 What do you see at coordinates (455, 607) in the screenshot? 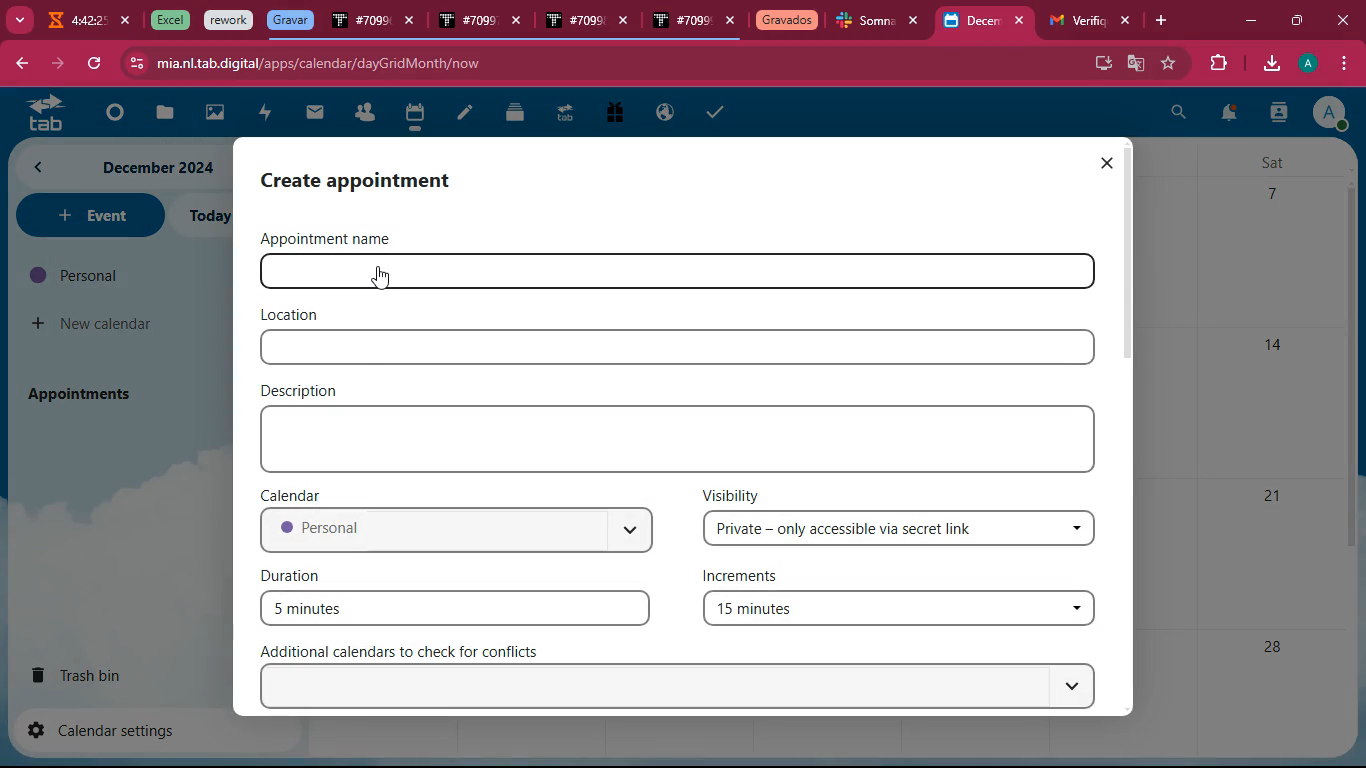
I see `5 minutes` at bounding box center [455, 607].